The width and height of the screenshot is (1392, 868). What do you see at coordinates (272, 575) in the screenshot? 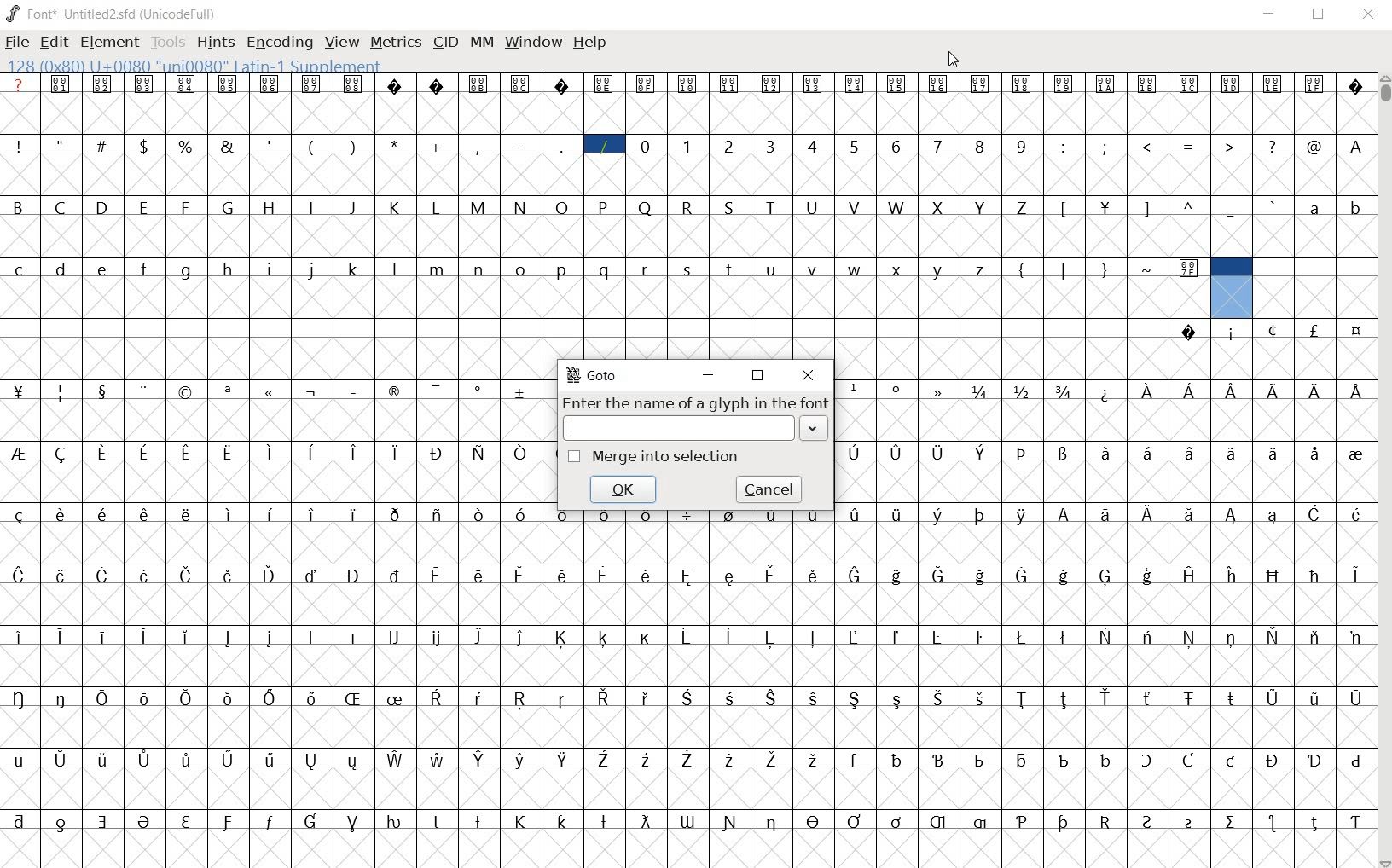
I see `Symbol` at bounding box center [272, 575].